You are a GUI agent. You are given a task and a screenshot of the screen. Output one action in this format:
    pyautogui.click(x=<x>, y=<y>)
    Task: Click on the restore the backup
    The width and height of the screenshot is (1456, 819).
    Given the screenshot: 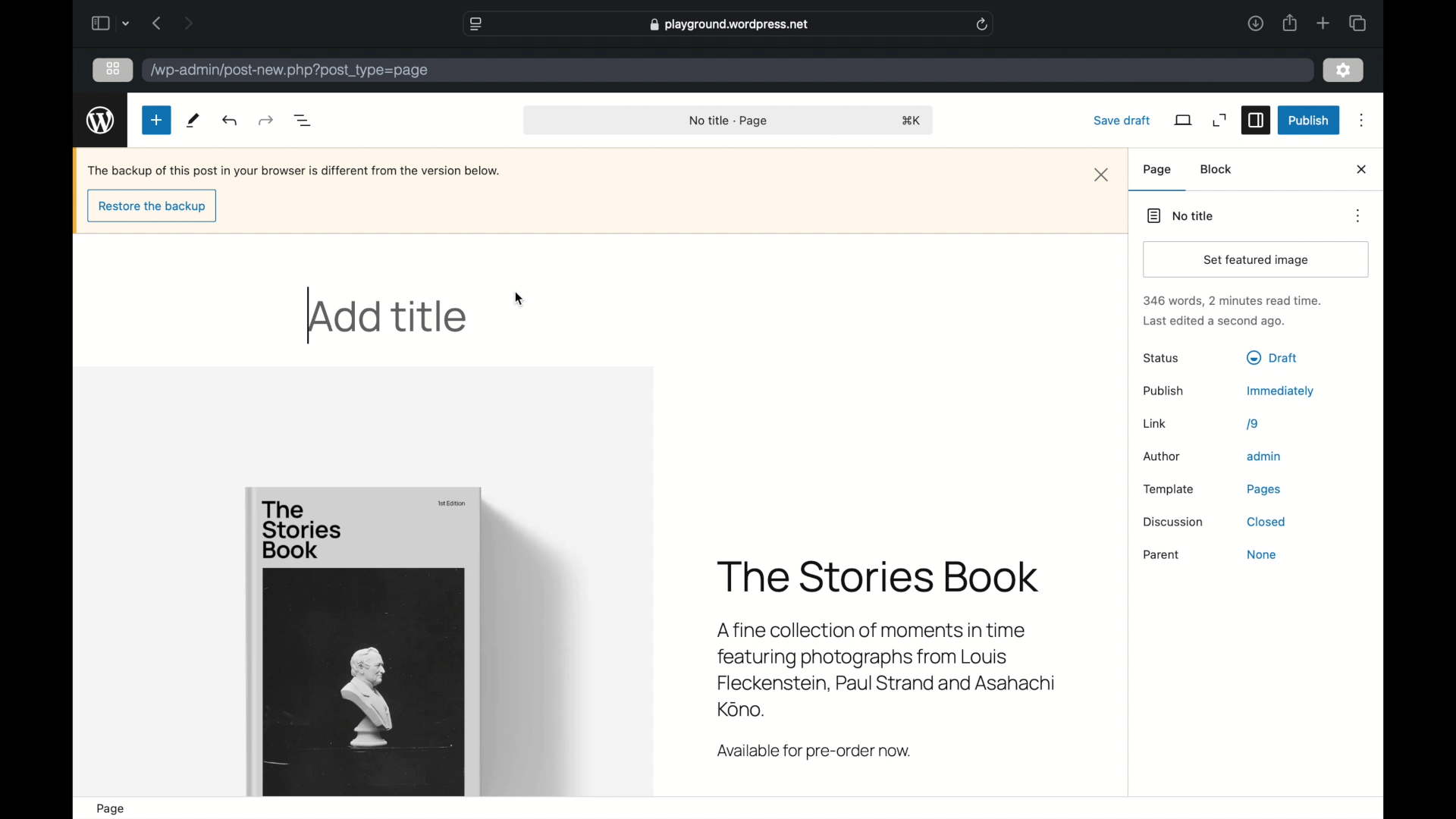 What is the action you would take?
    pyautogui.click(x=152, y=207)
    